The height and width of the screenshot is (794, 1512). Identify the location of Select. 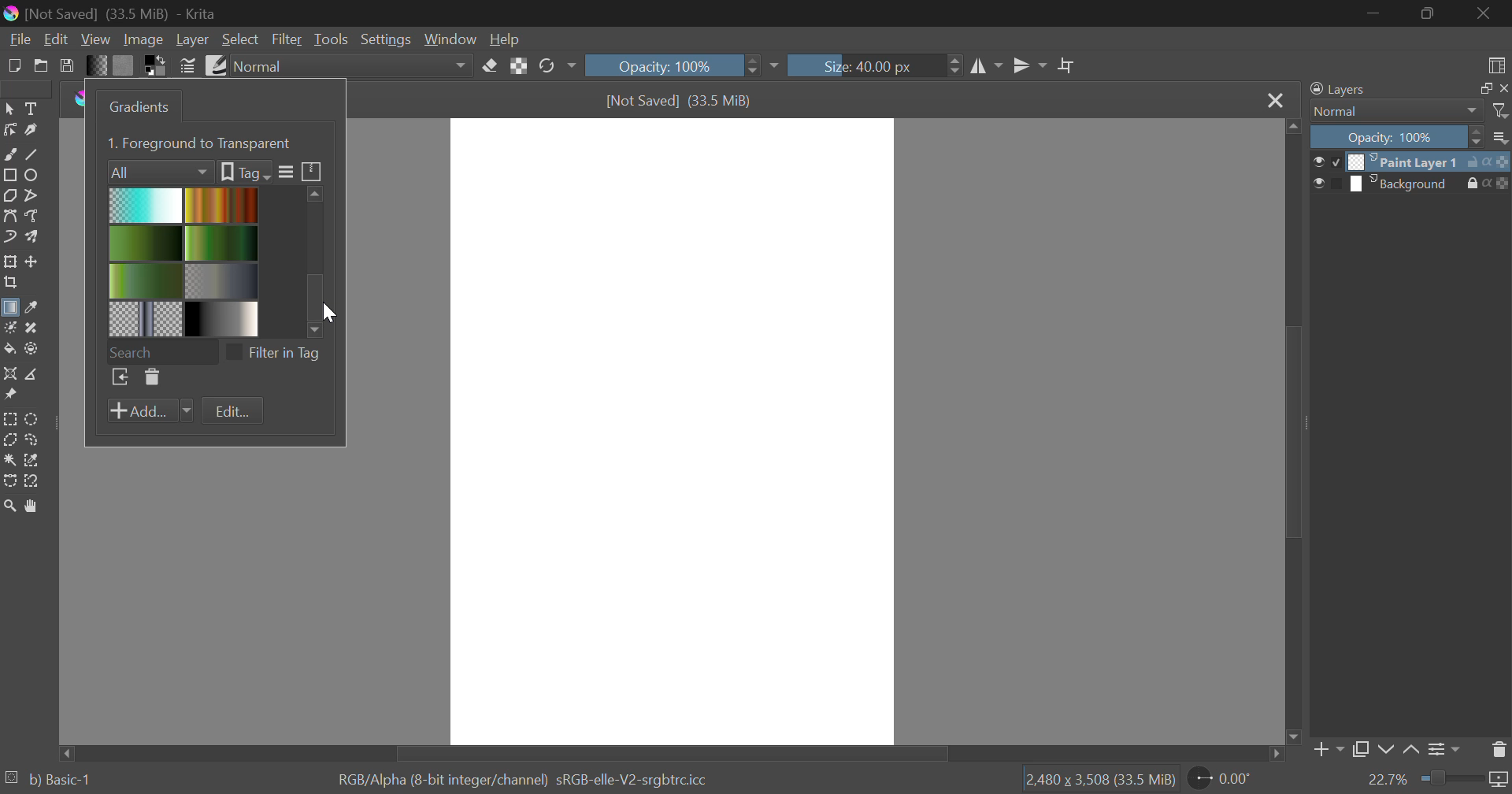
(240, 39).